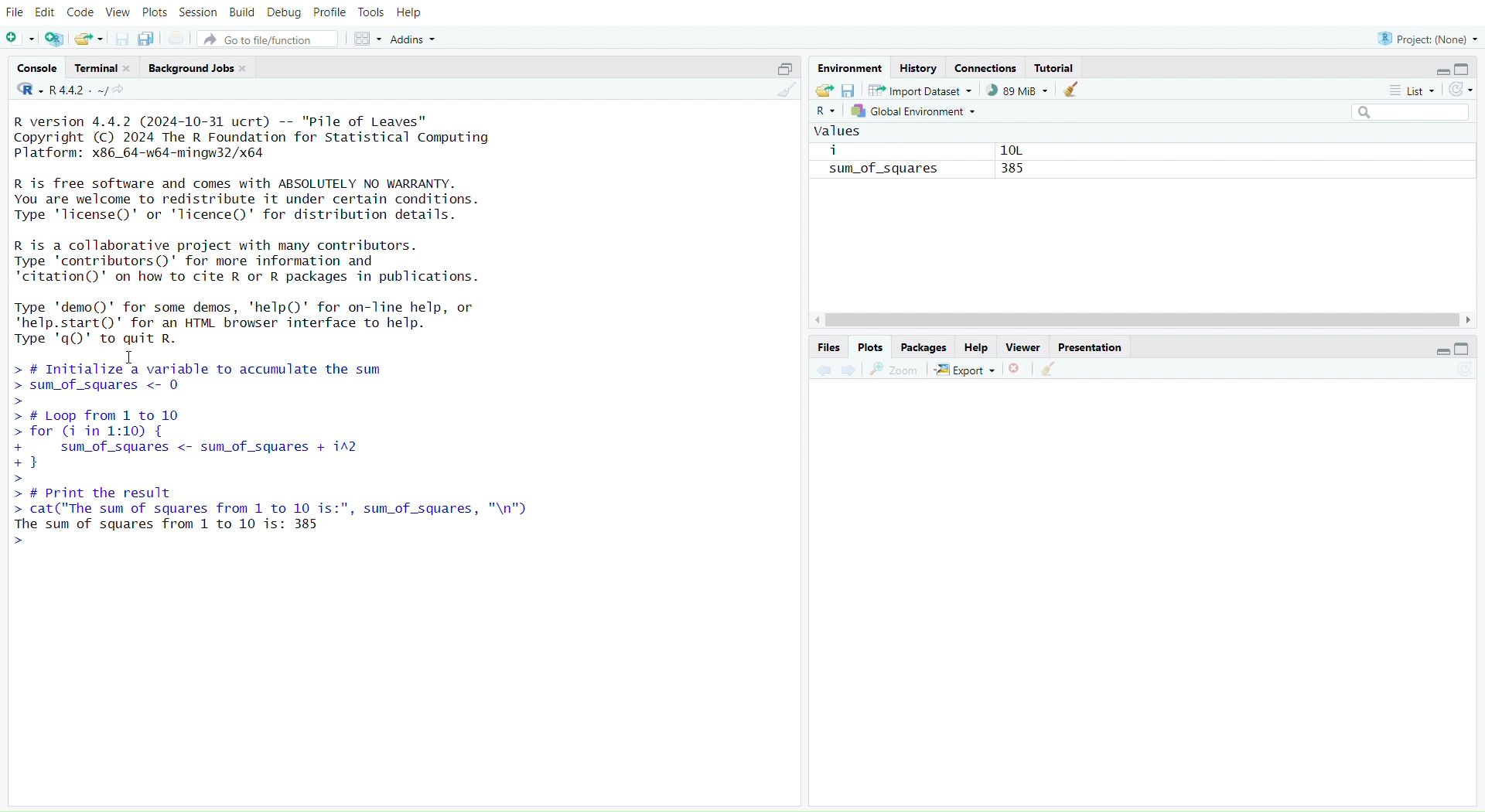  What do you see at coordinates (1143, 598) in the screenshot?
I see `empty plot area` at bounding box center [1143, 598].